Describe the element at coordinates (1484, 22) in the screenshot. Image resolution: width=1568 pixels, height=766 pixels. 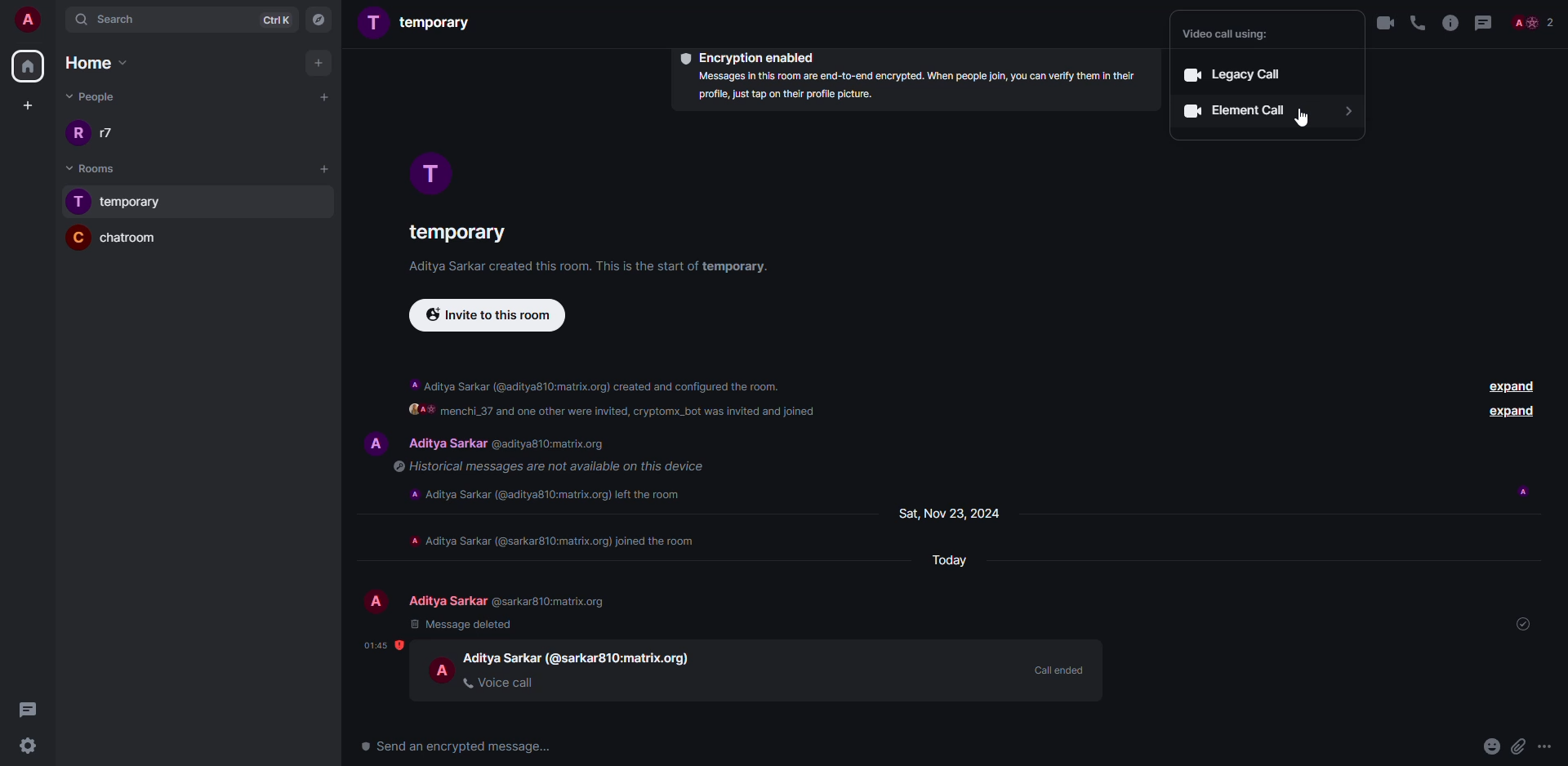
I see `threads` at that location.